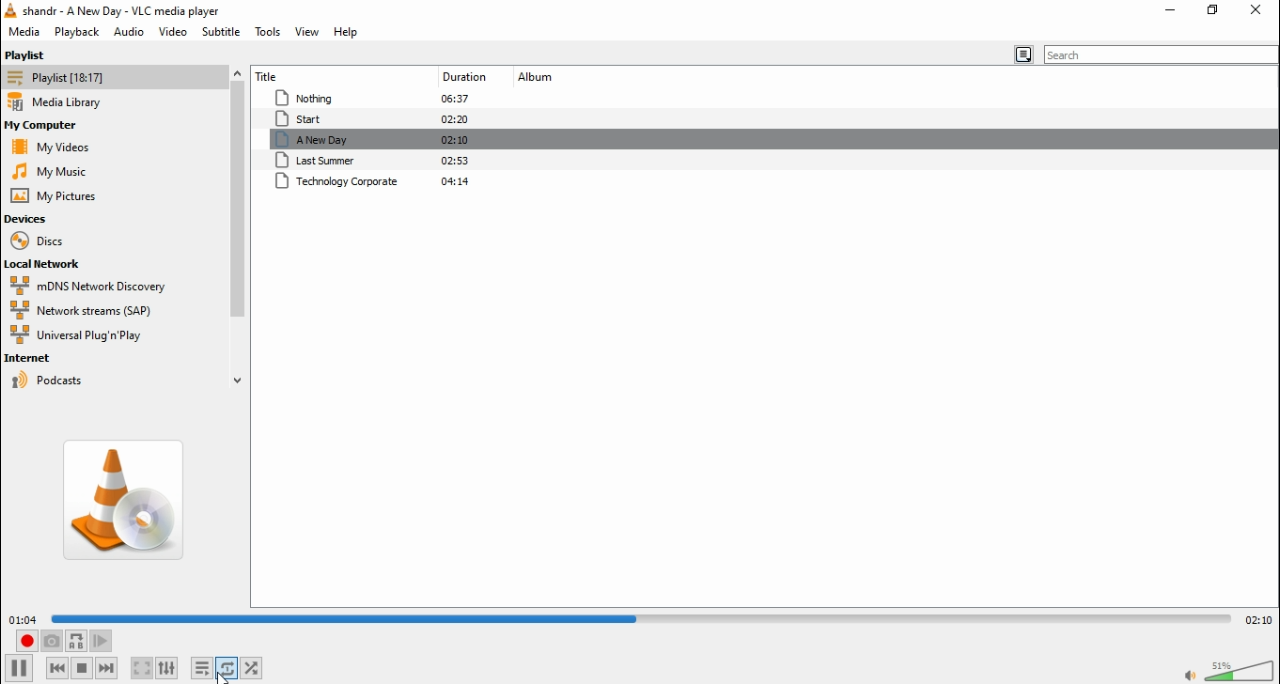 The width and height of the screenshot is (1280, 684). What do you see at coordinates (49, 171) in the screenshot?
I see `my pictures` at bounding box center [49, 171].